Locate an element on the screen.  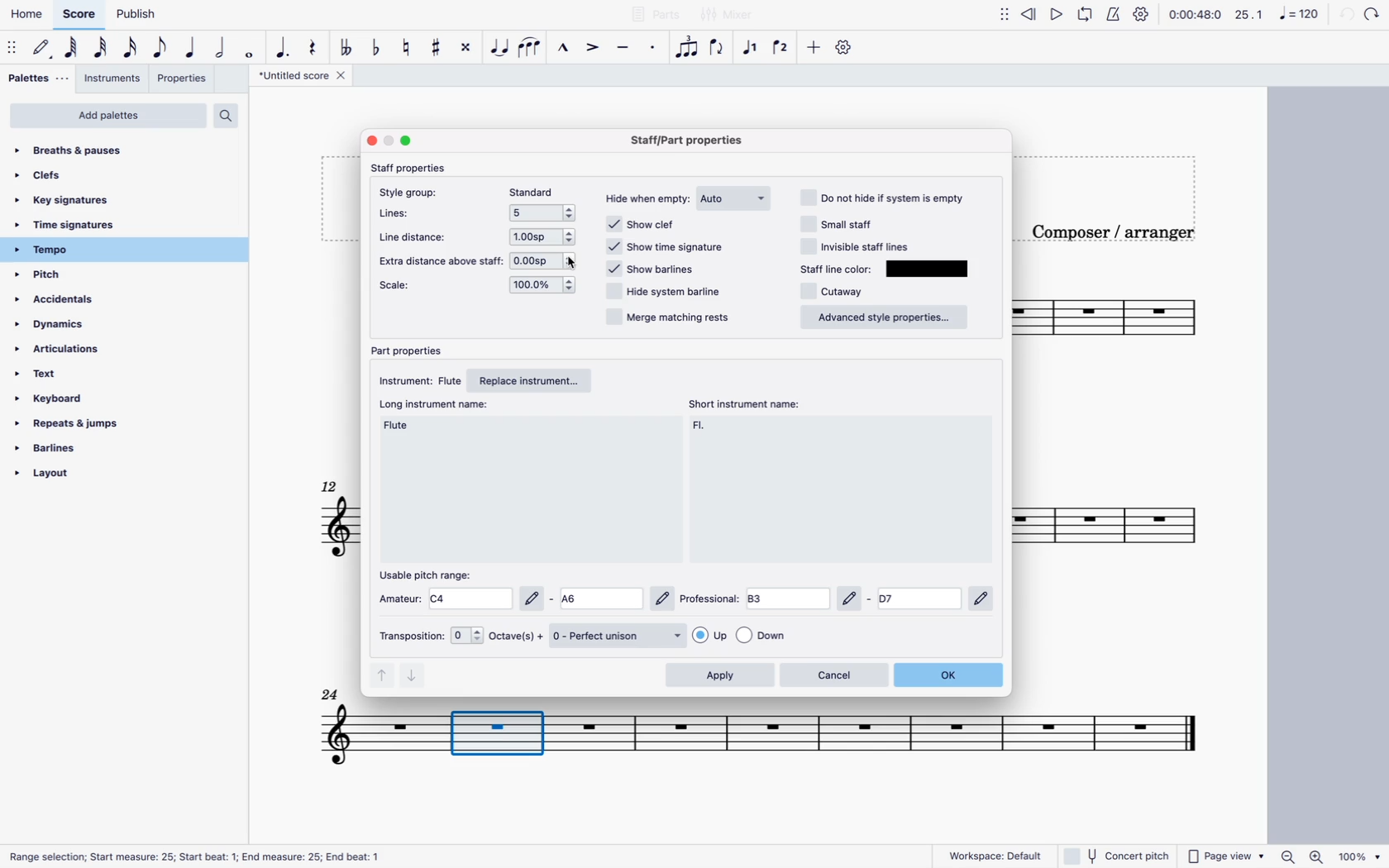
Zoom out is located at coordinates (1287, 856).